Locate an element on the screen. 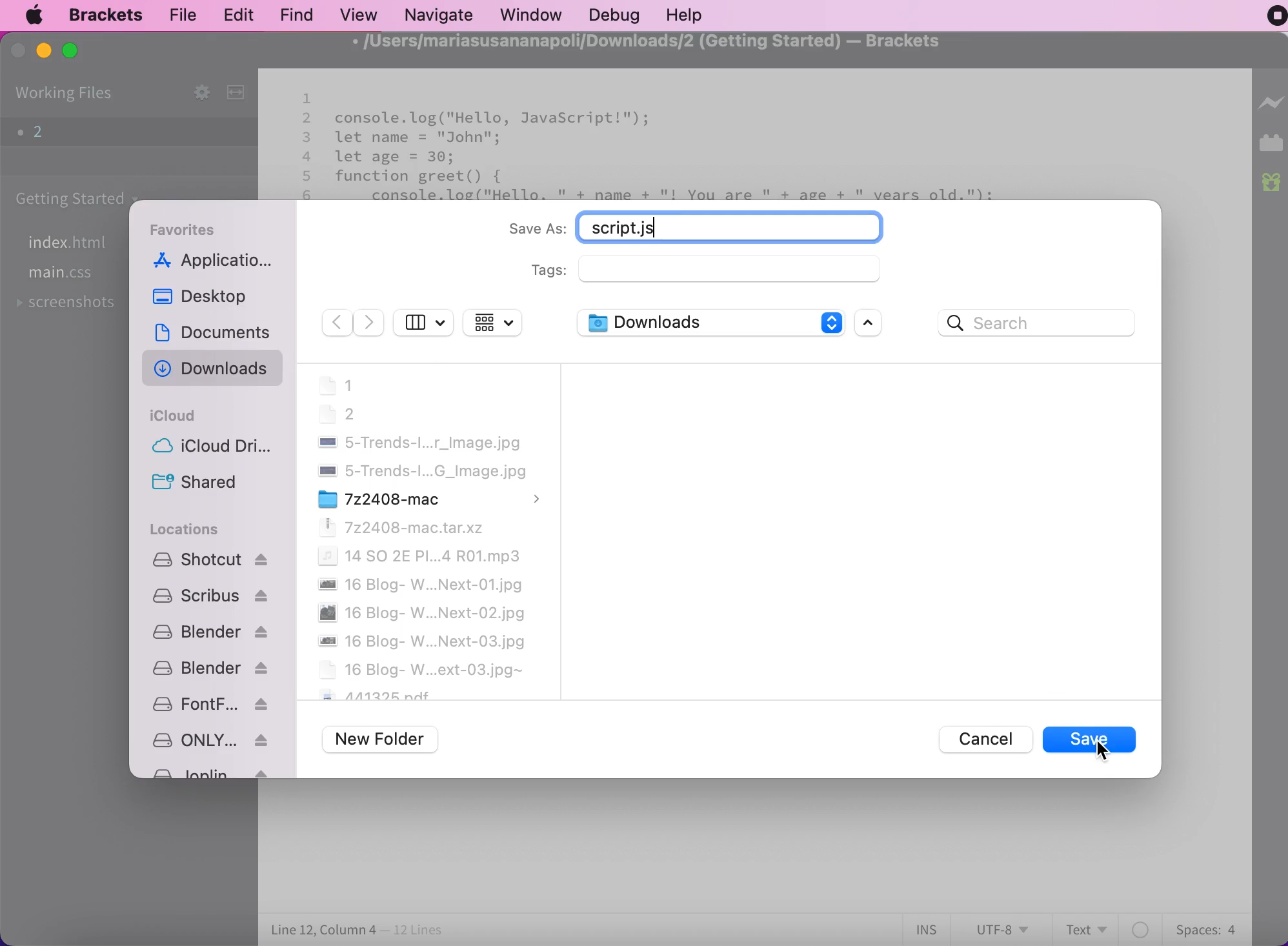 Image resolution: width=1288 pixels, height=946 pixels. downloads is located at coordinates (708, 325).